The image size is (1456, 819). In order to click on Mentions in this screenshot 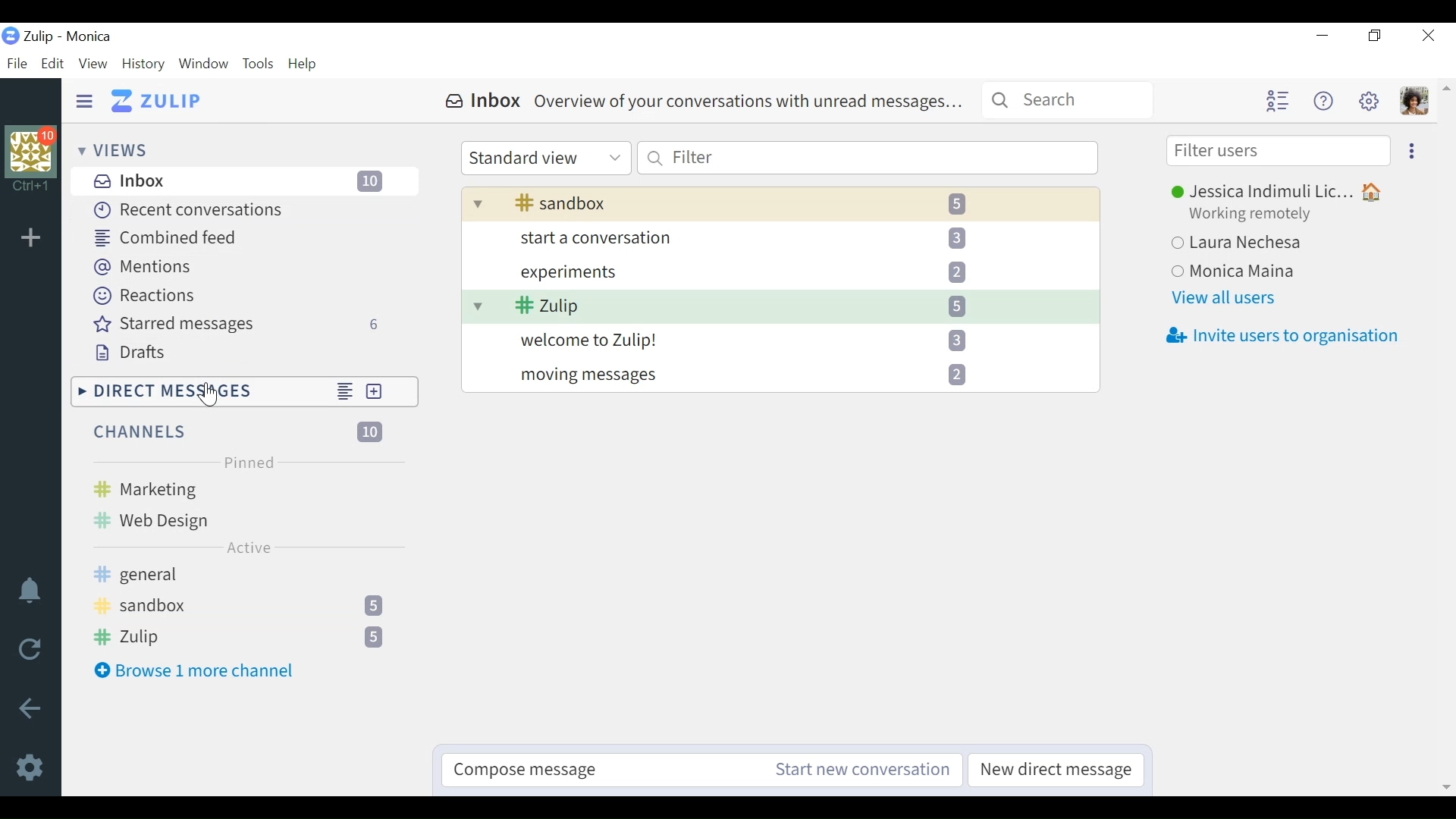, I will do `click(143, 266)`.